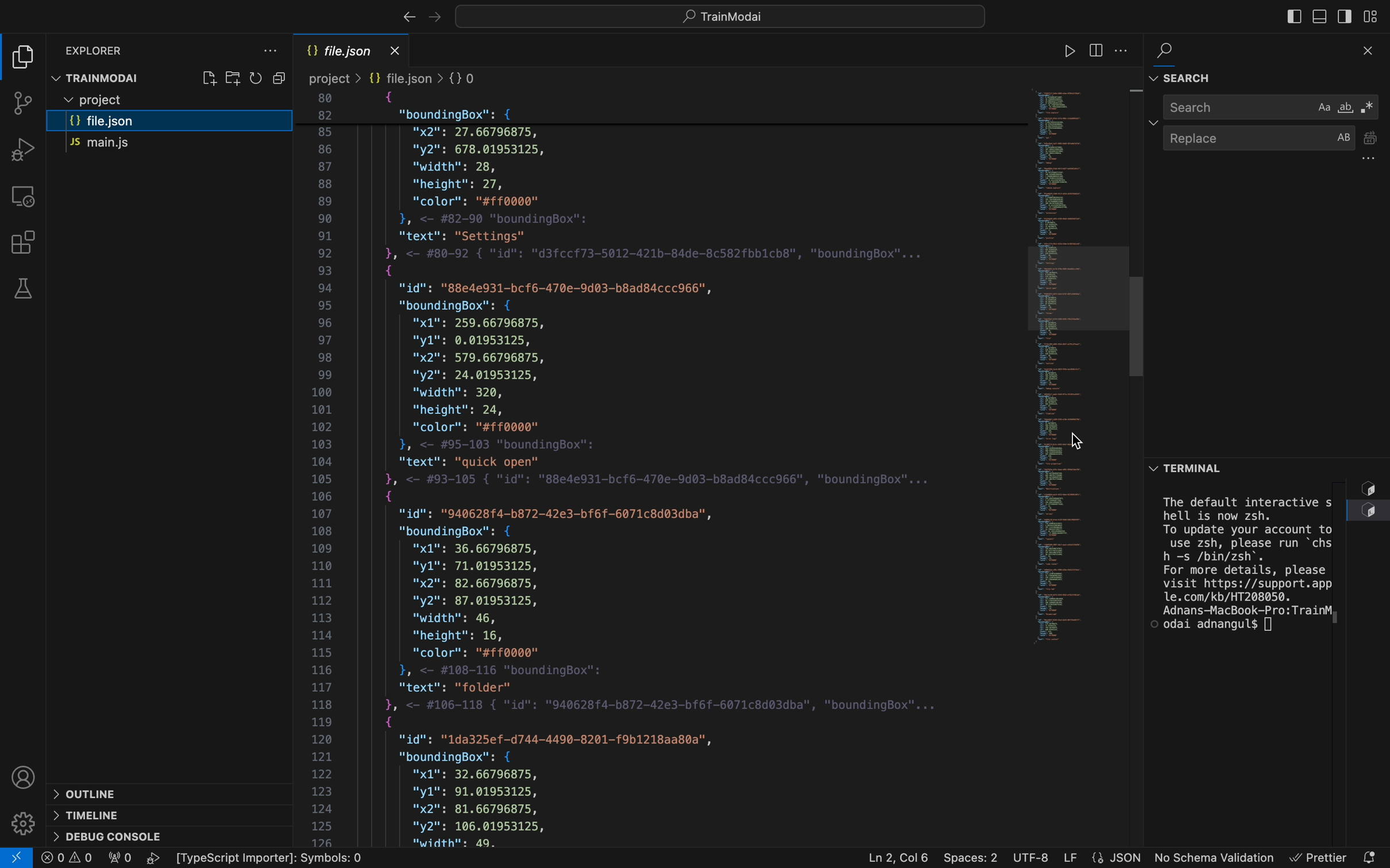  What do you see at coordinates (401, 78) in the screenshot?
I see `Breadcrumb` at bounding box center [401, 78].